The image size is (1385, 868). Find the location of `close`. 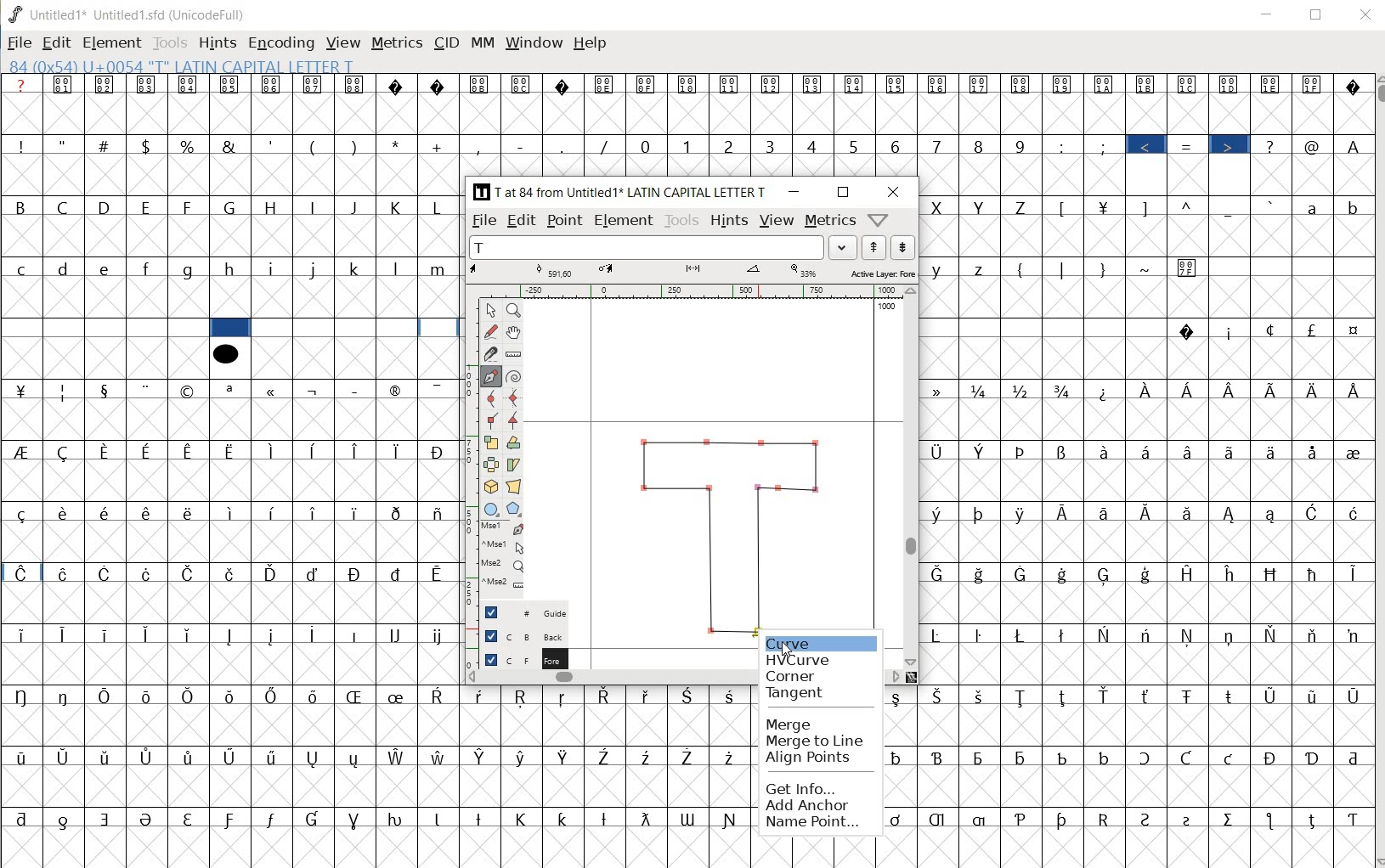

close is located at coordinates (894, 192).